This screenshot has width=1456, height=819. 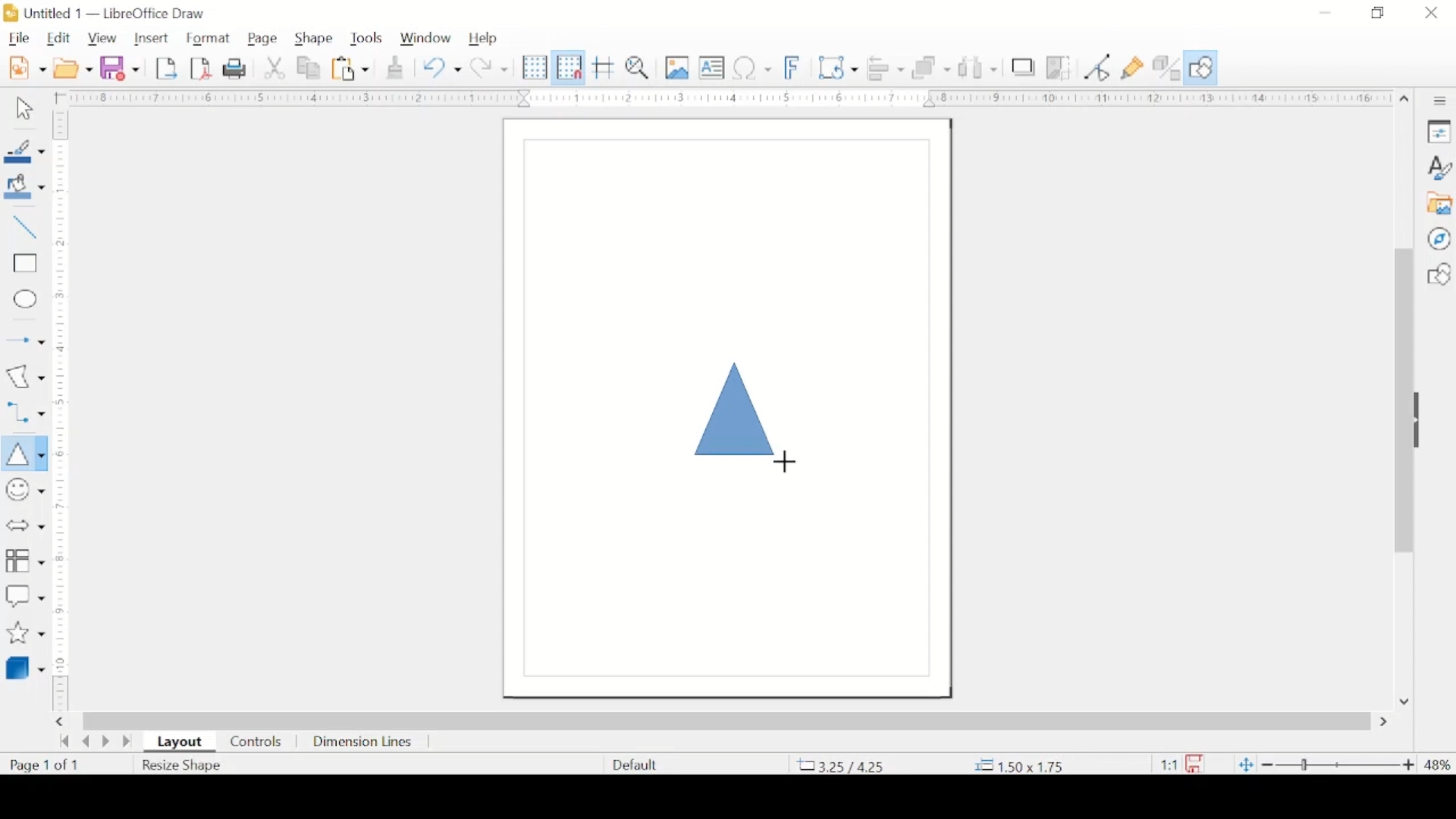 I want to click on insert image, so click(x=678, y=68).